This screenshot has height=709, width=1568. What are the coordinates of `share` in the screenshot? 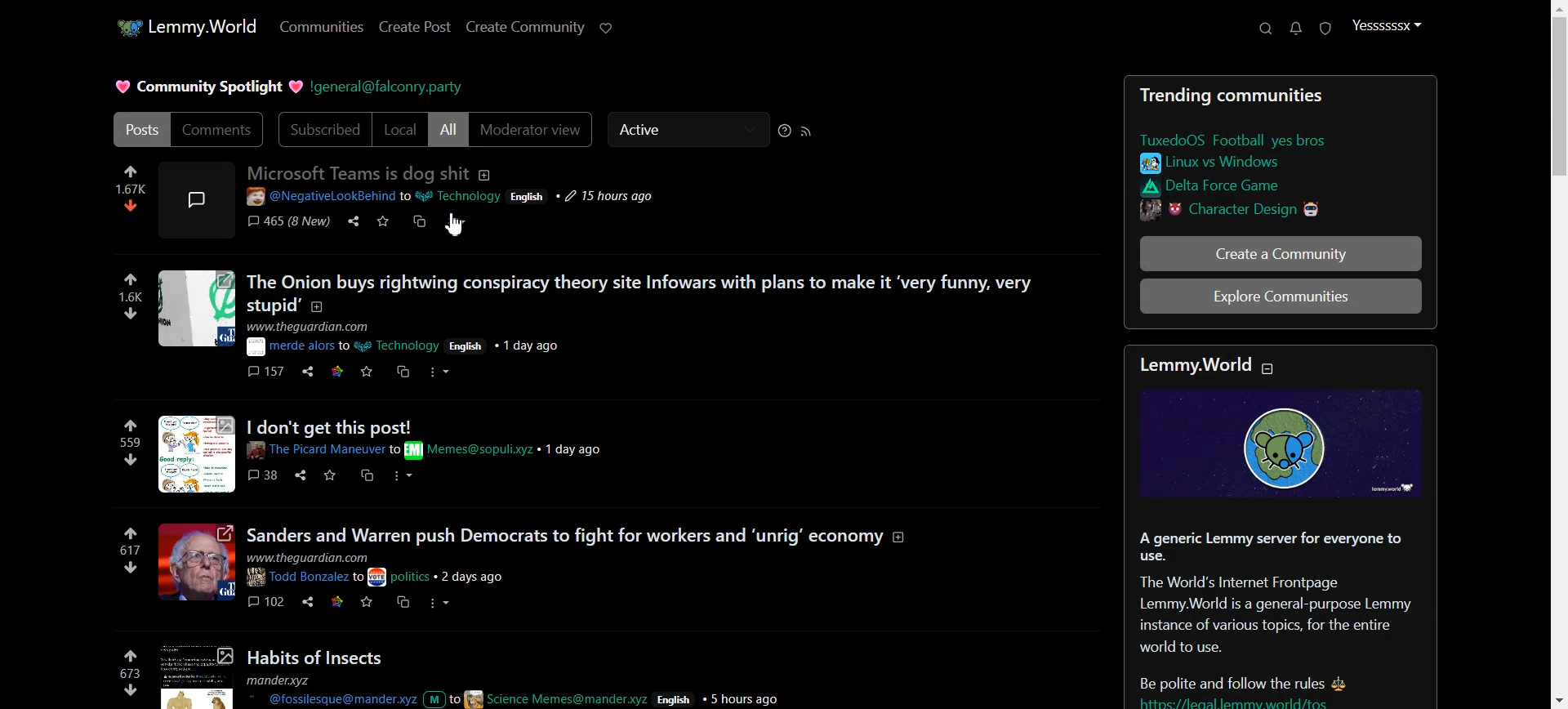 It's located at (299, 475).